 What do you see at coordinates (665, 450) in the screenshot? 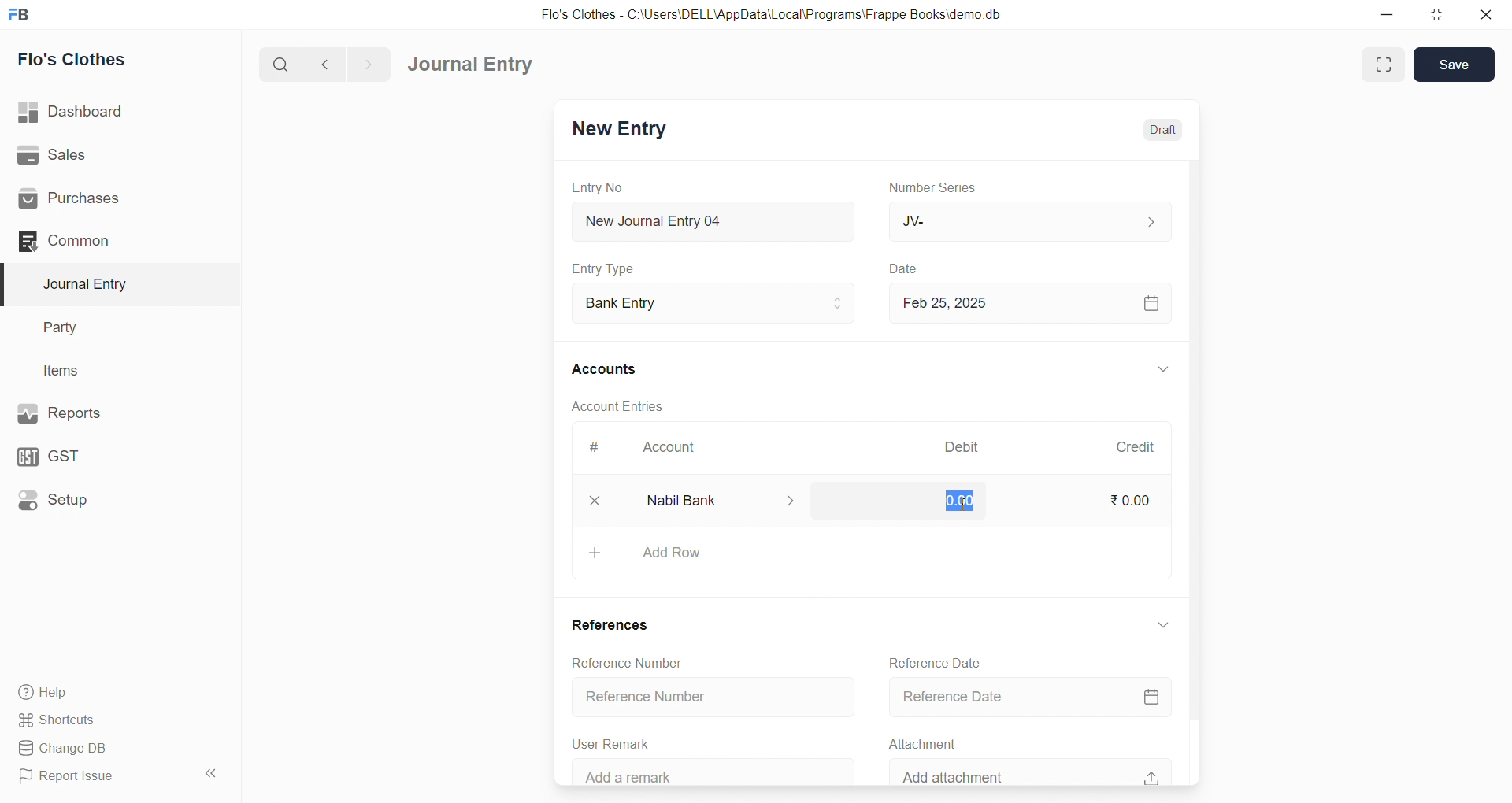
I see `Account` at bounding box center [665, 450].